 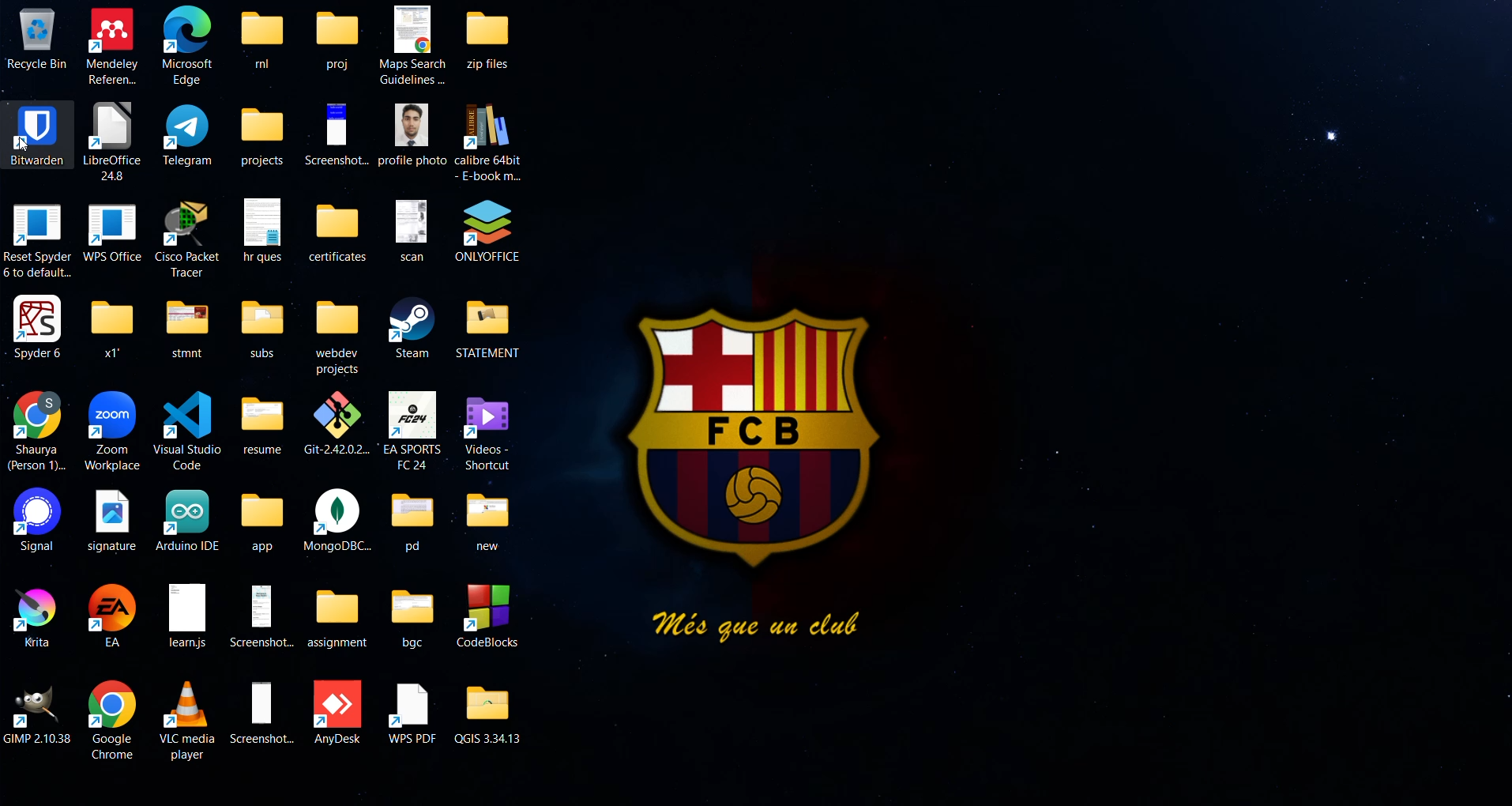 What do you see at coordinates (39, 714) in the screenshot?
I see `GIMP 2.10.38` at bounding box center [39, 714].